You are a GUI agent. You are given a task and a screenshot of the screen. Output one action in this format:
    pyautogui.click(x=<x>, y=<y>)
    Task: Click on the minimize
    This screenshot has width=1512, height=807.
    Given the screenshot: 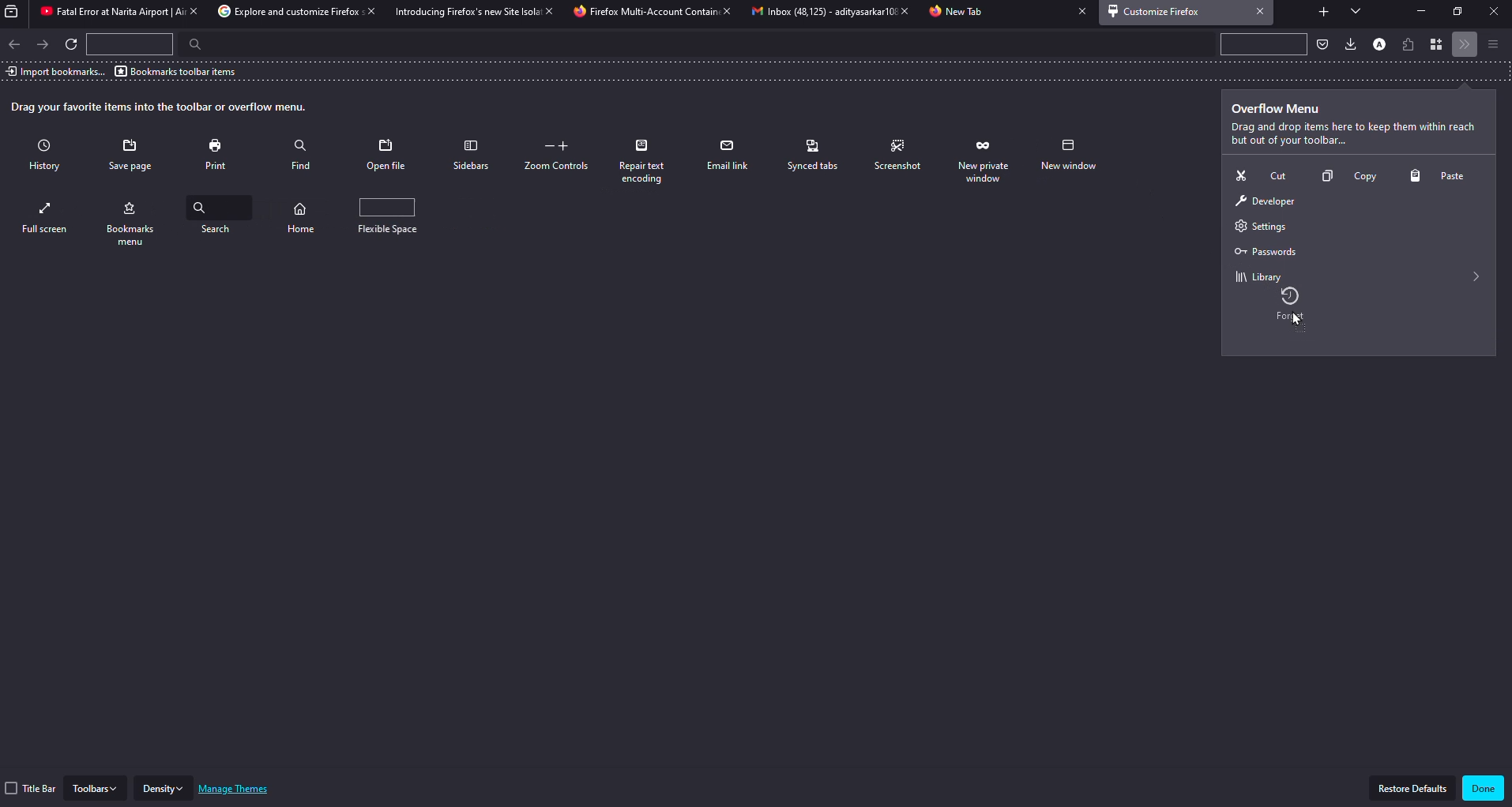 What is the action you would take?
    pyautogui.click(x=1416, y=11)
    